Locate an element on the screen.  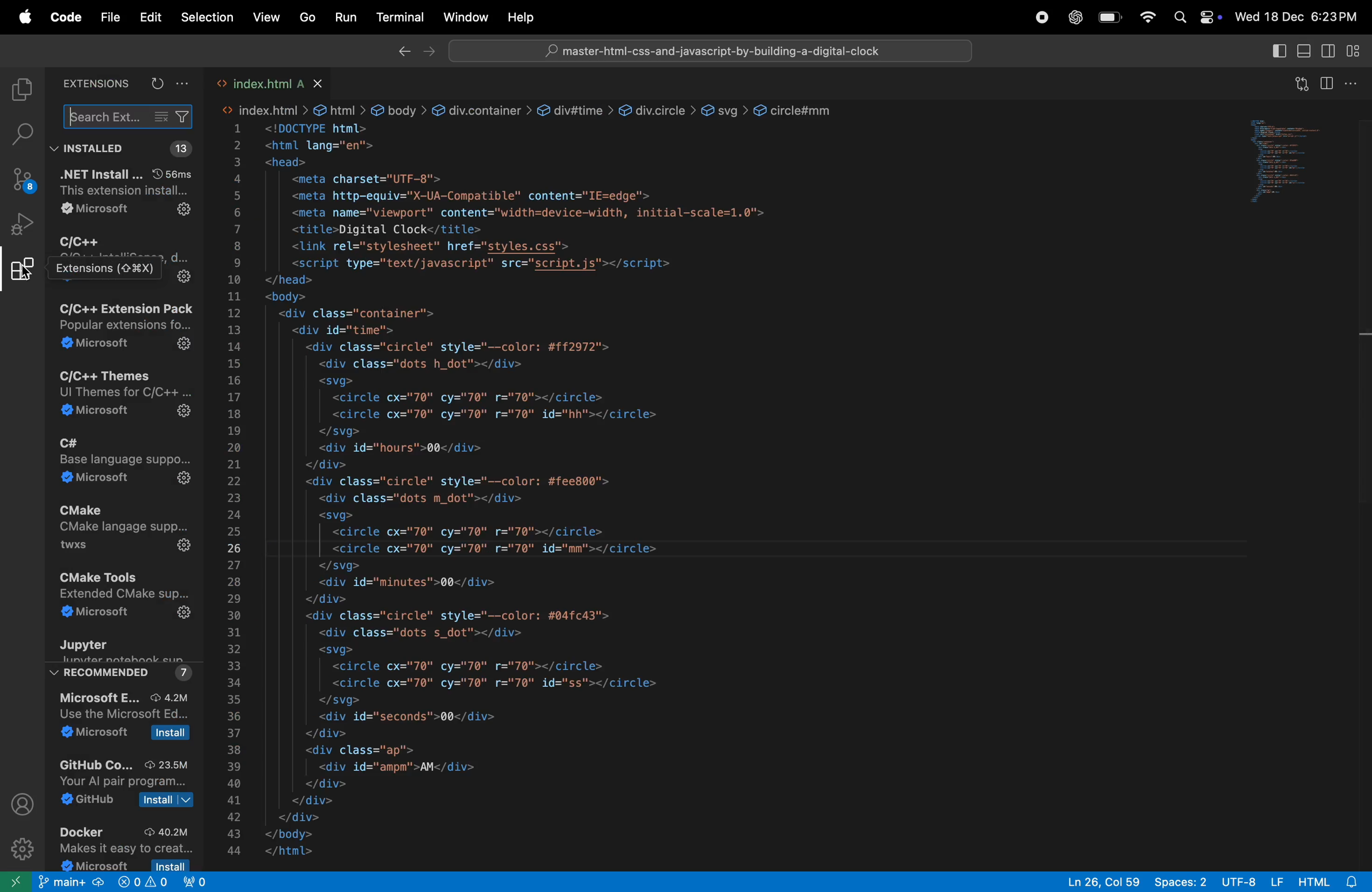
cursor is located at coordinates (74, 116).